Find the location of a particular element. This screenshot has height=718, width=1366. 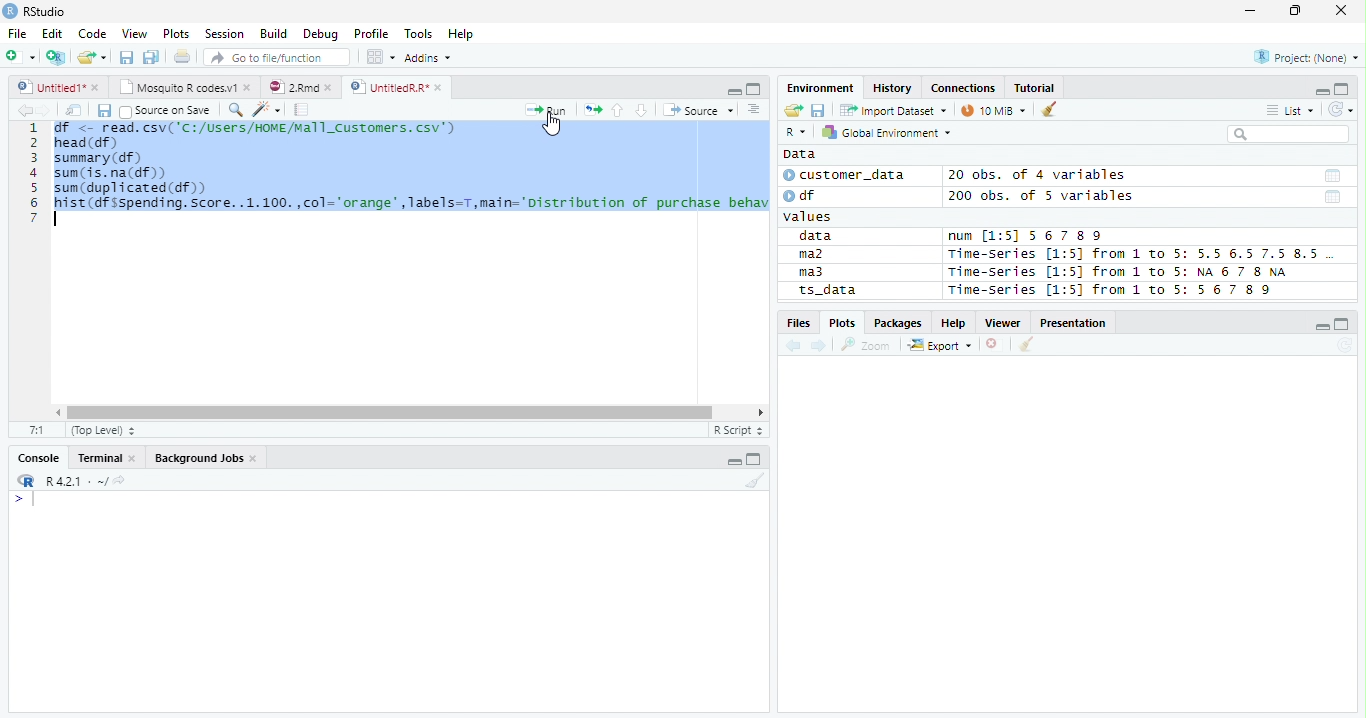

Minimize is located at coordinates (735, 459).